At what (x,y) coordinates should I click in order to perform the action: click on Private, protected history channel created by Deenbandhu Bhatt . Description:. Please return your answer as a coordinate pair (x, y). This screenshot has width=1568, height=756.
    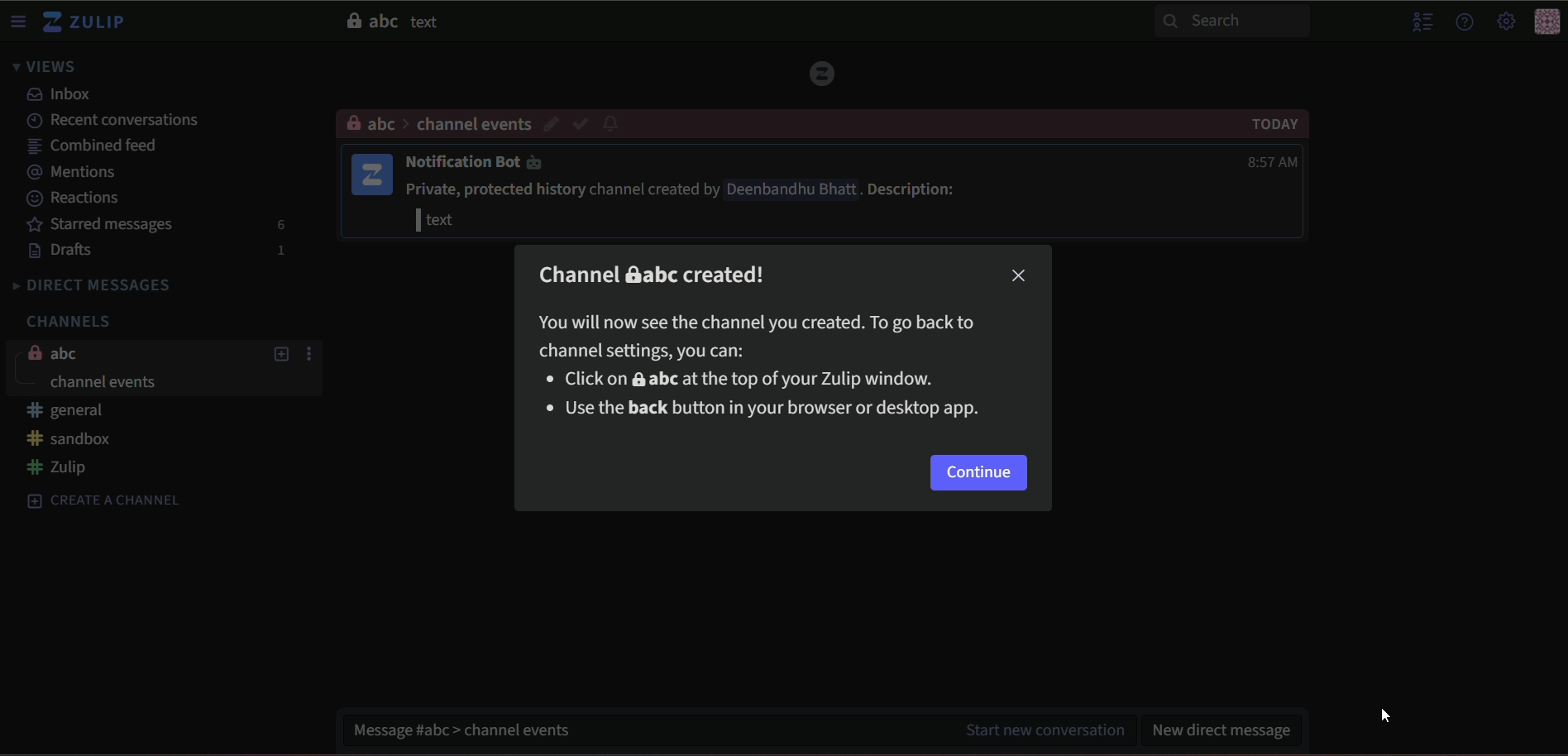
    Looking at the image, I should click on (691, 189).